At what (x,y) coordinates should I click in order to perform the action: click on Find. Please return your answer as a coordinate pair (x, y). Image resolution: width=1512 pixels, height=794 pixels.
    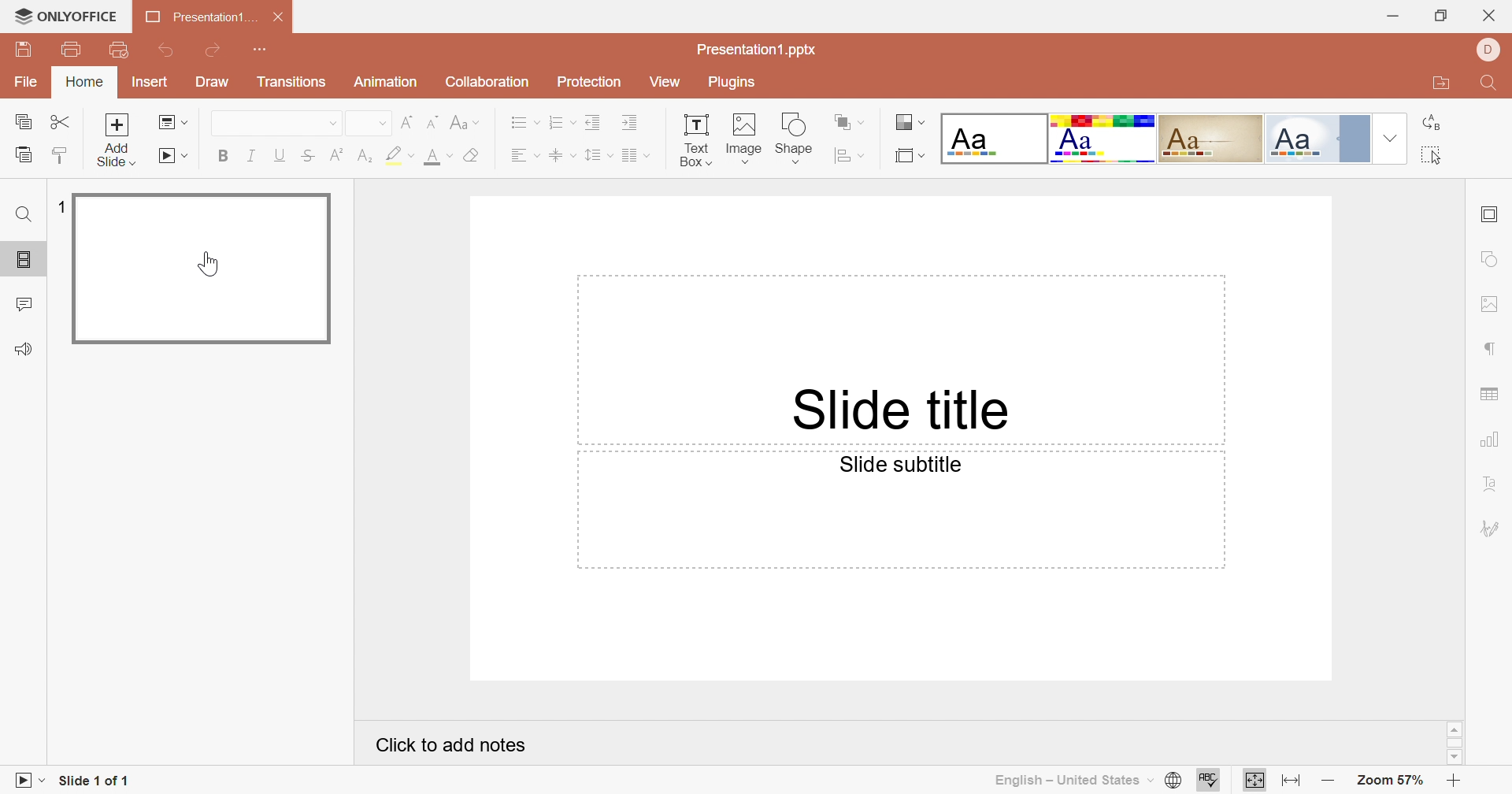
    Looking at the image, I should click on (1487, 82).